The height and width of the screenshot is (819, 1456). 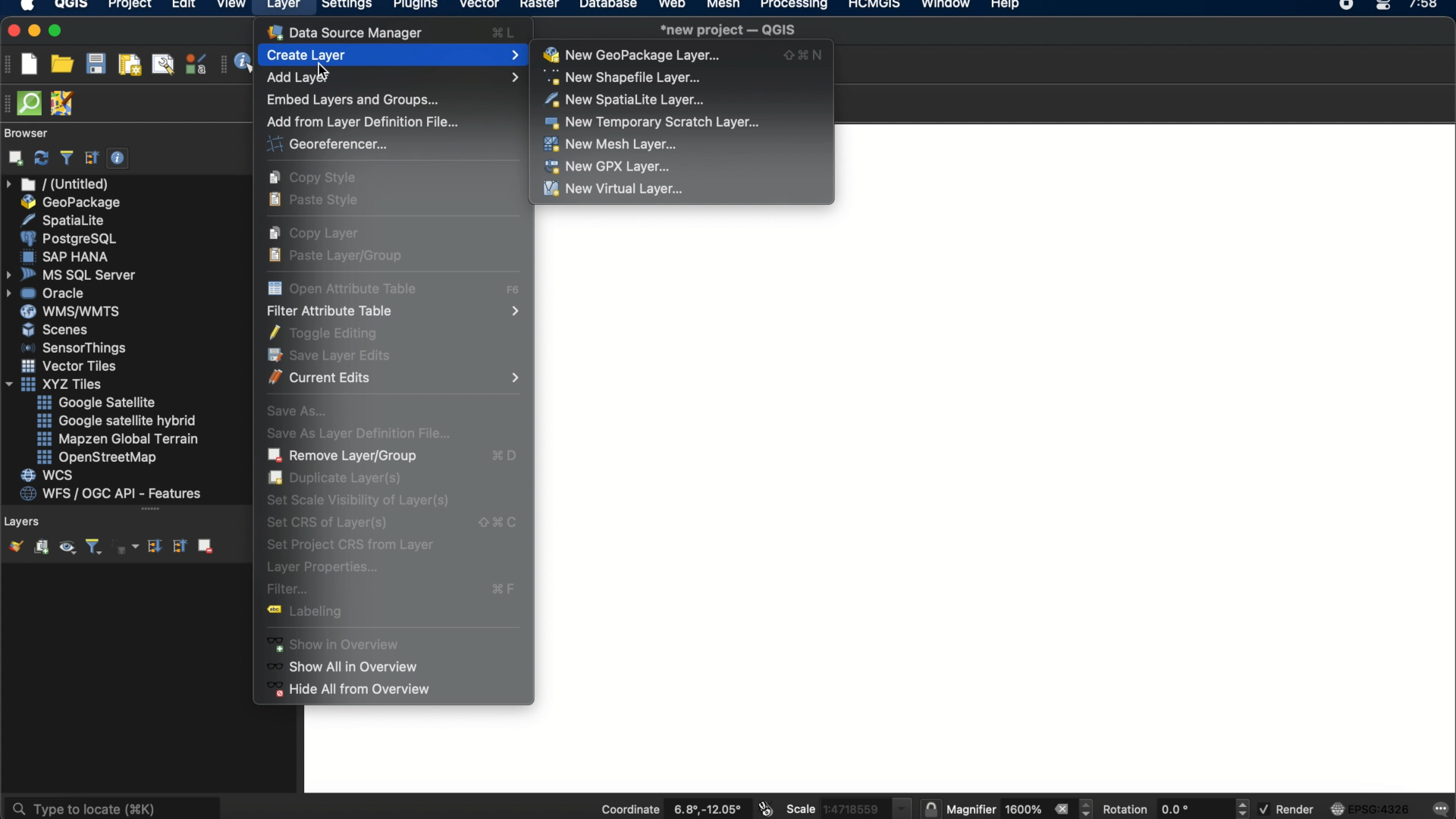 I want to click on database, so click(x=607, y=6).